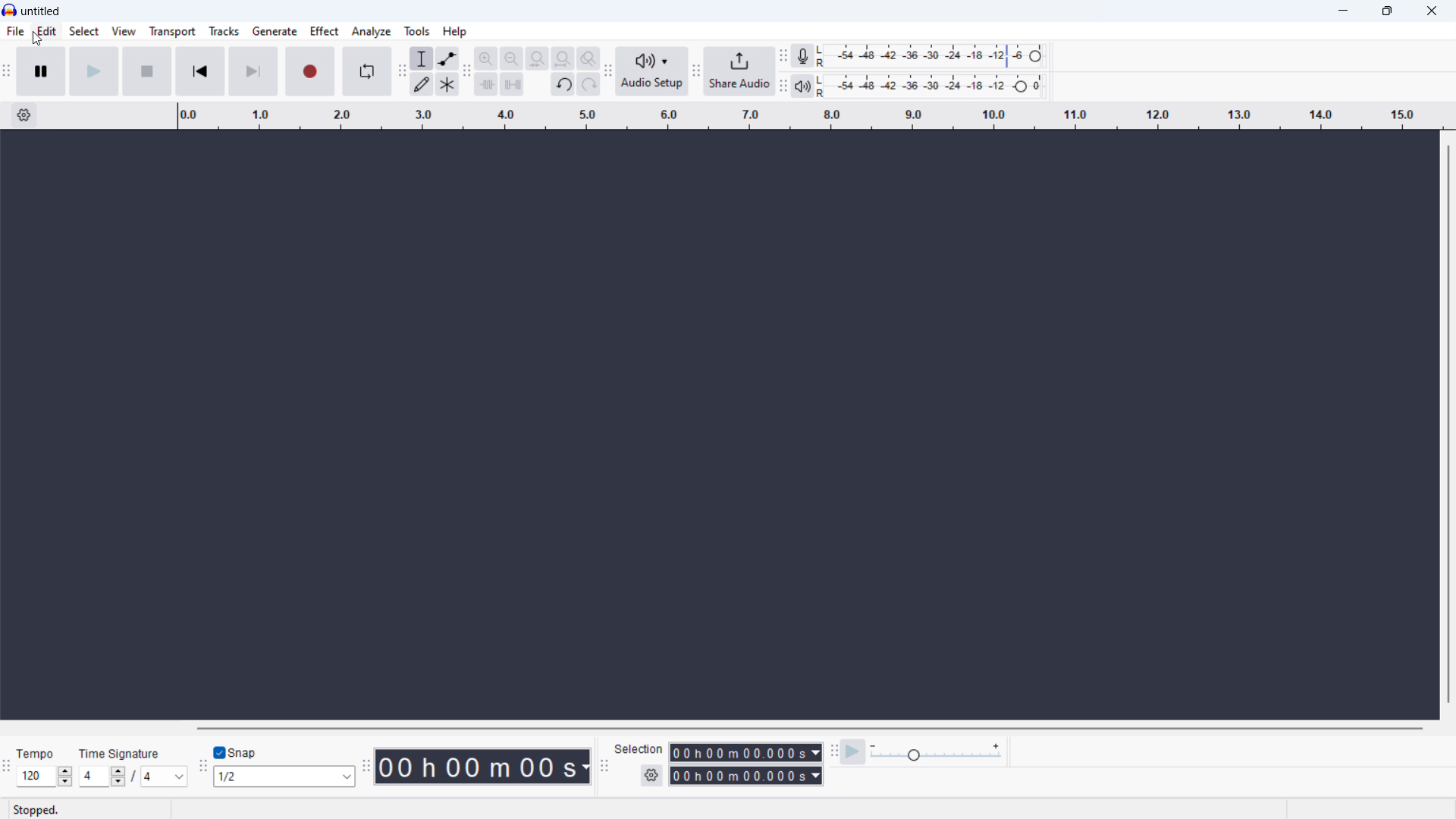 Image resolution: width=1456 pixels, height=819 pixels. Describe the element at coordinates (124, 31) in the screenshot. I see `view` at that location.